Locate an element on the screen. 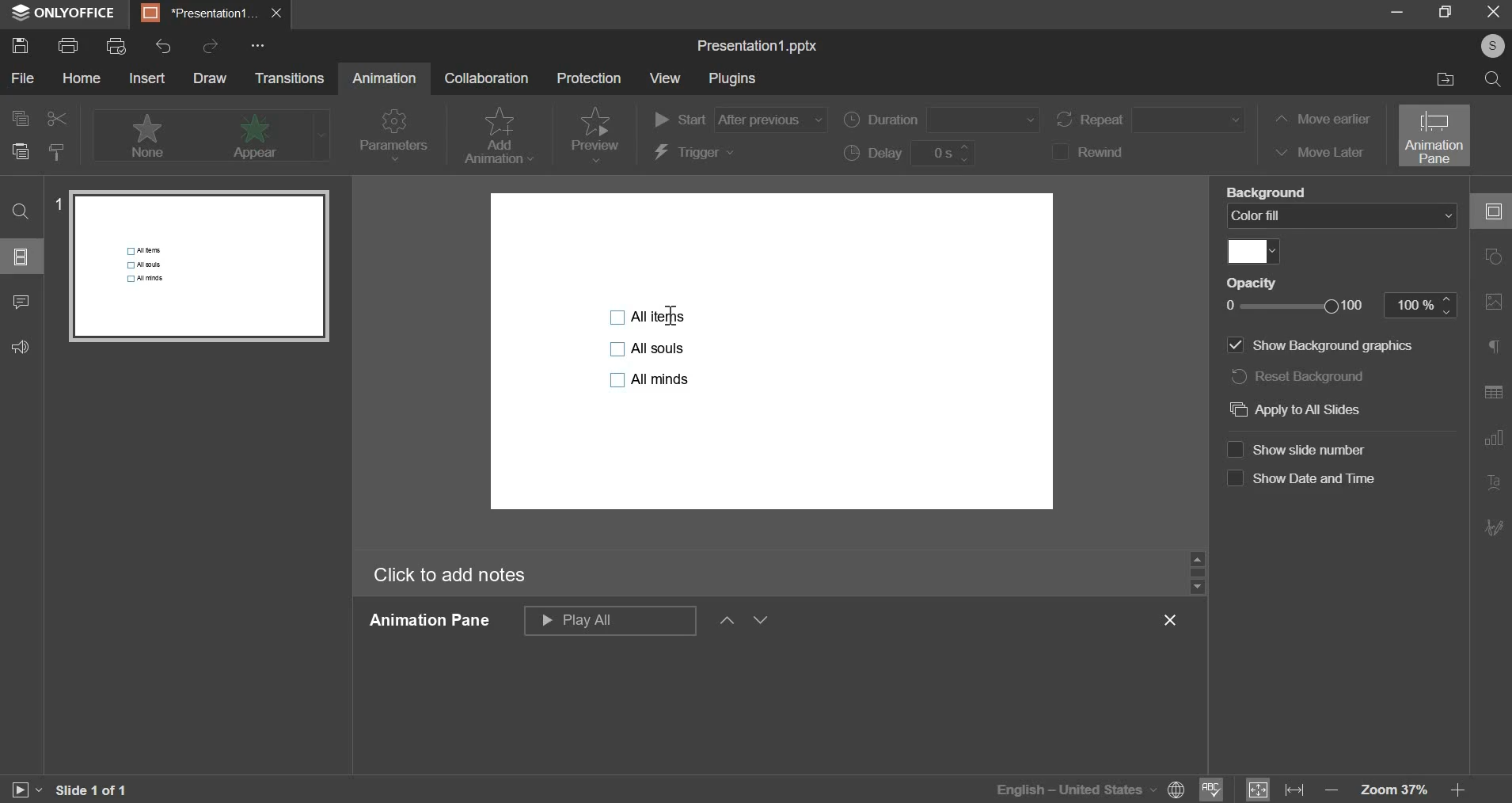 This screenshot has height=803, width=1512. redo is located at coordinates (209, 44).